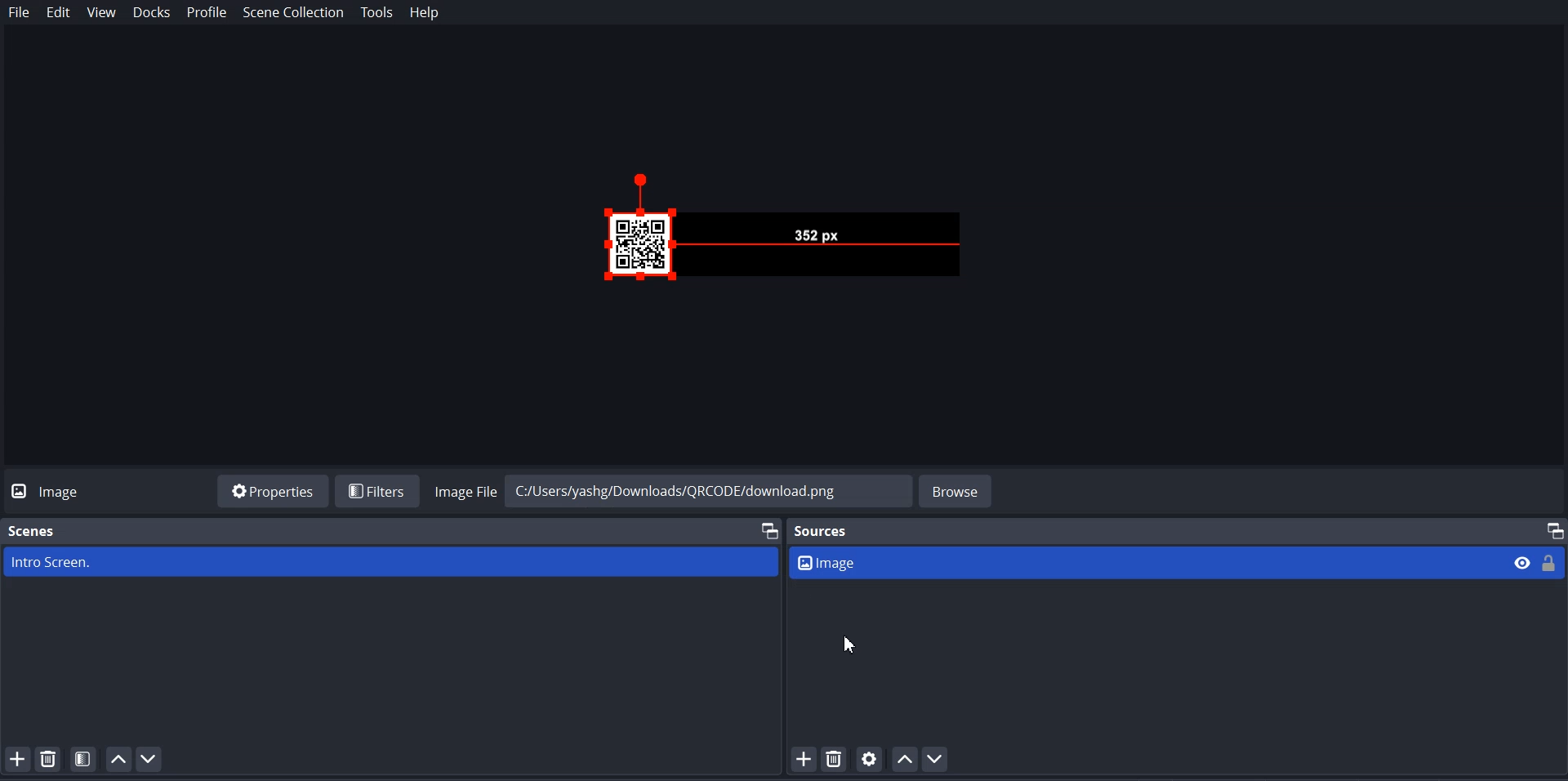 Image resolution: width=1568 pixels, height=781 pixels. Describe the element at coordinates (705, 489) in the screenshot. I see `C:/Userslyashg/Downloads/QRCODE/download.png` at that location.